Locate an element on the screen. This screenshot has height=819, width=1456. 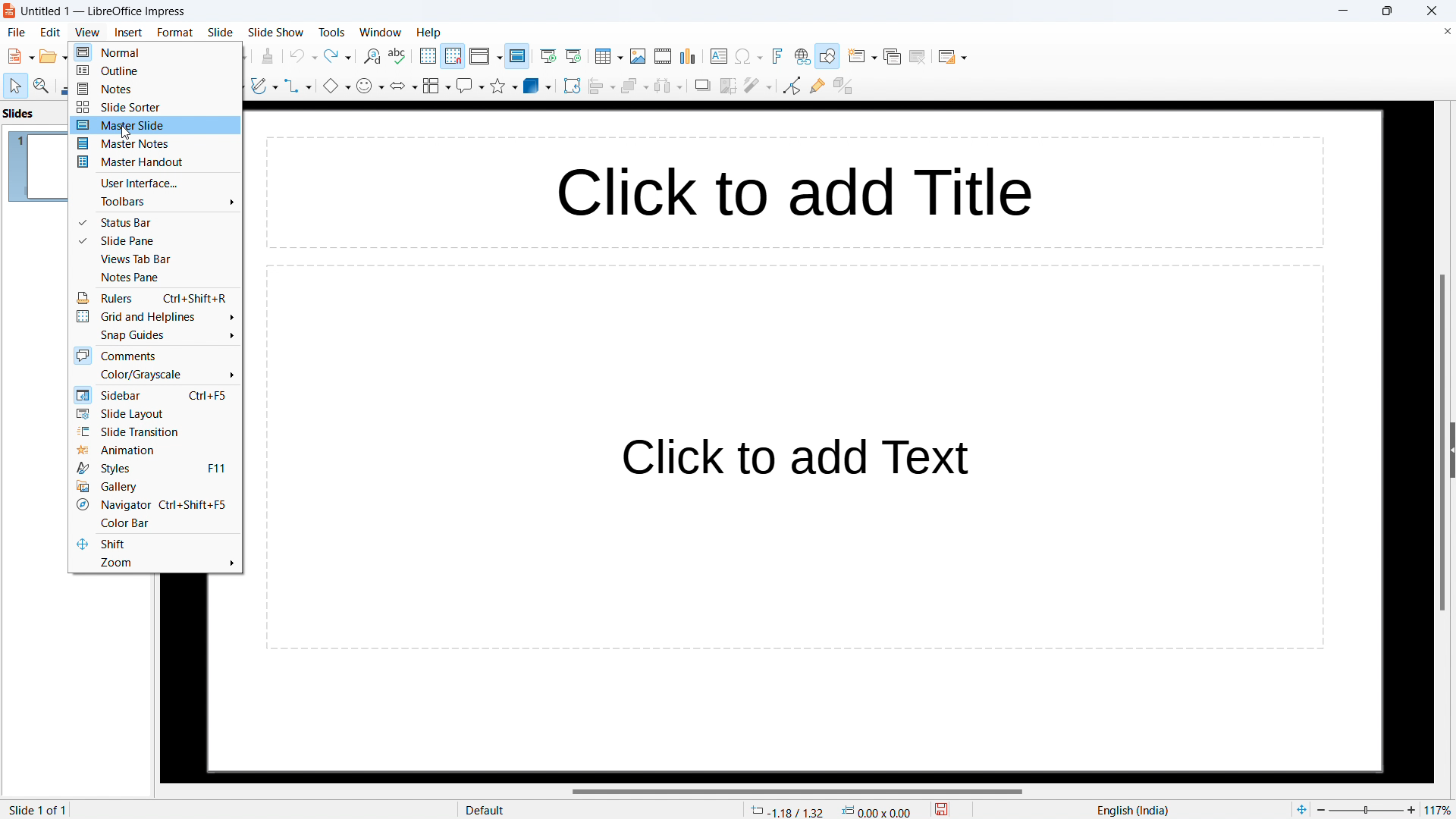
zoom factor is located at coordinates (1441, 808).